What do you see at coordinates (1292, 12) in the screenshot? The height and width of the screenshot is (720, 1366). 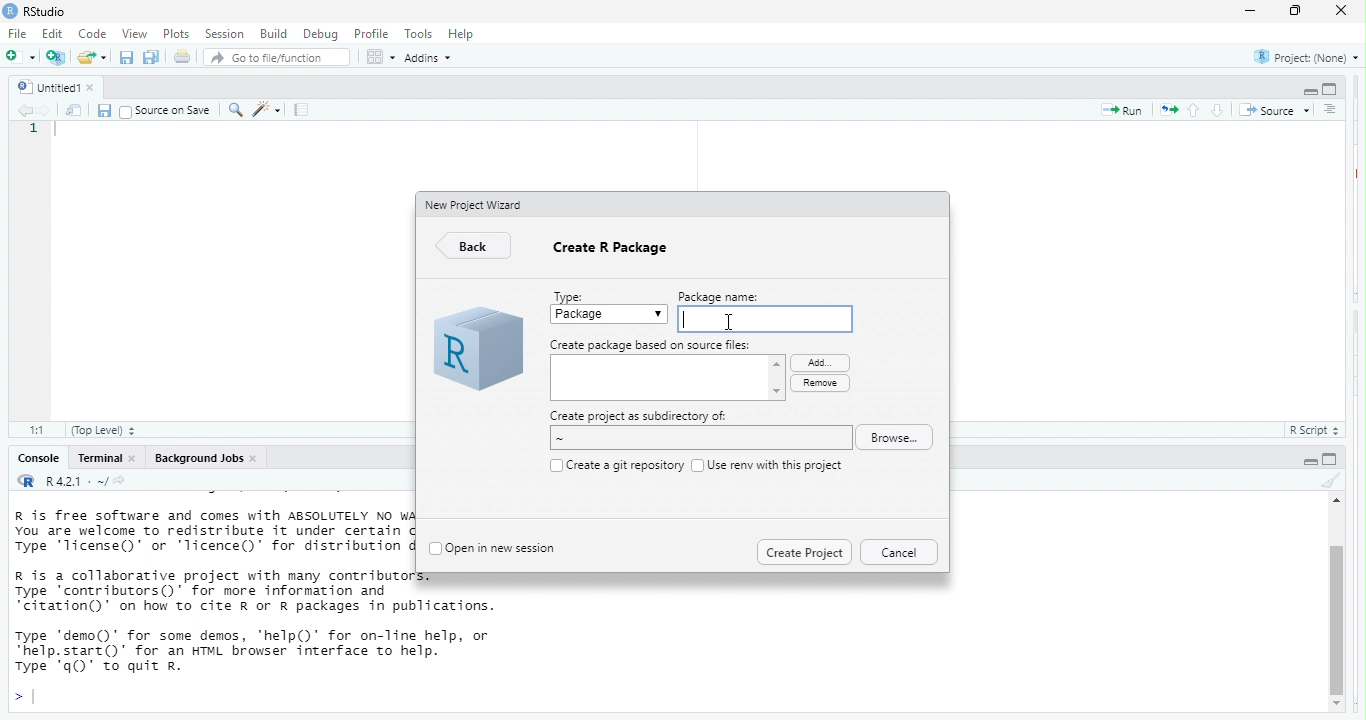 I see `maximize` at bounding box center [1292, 12].